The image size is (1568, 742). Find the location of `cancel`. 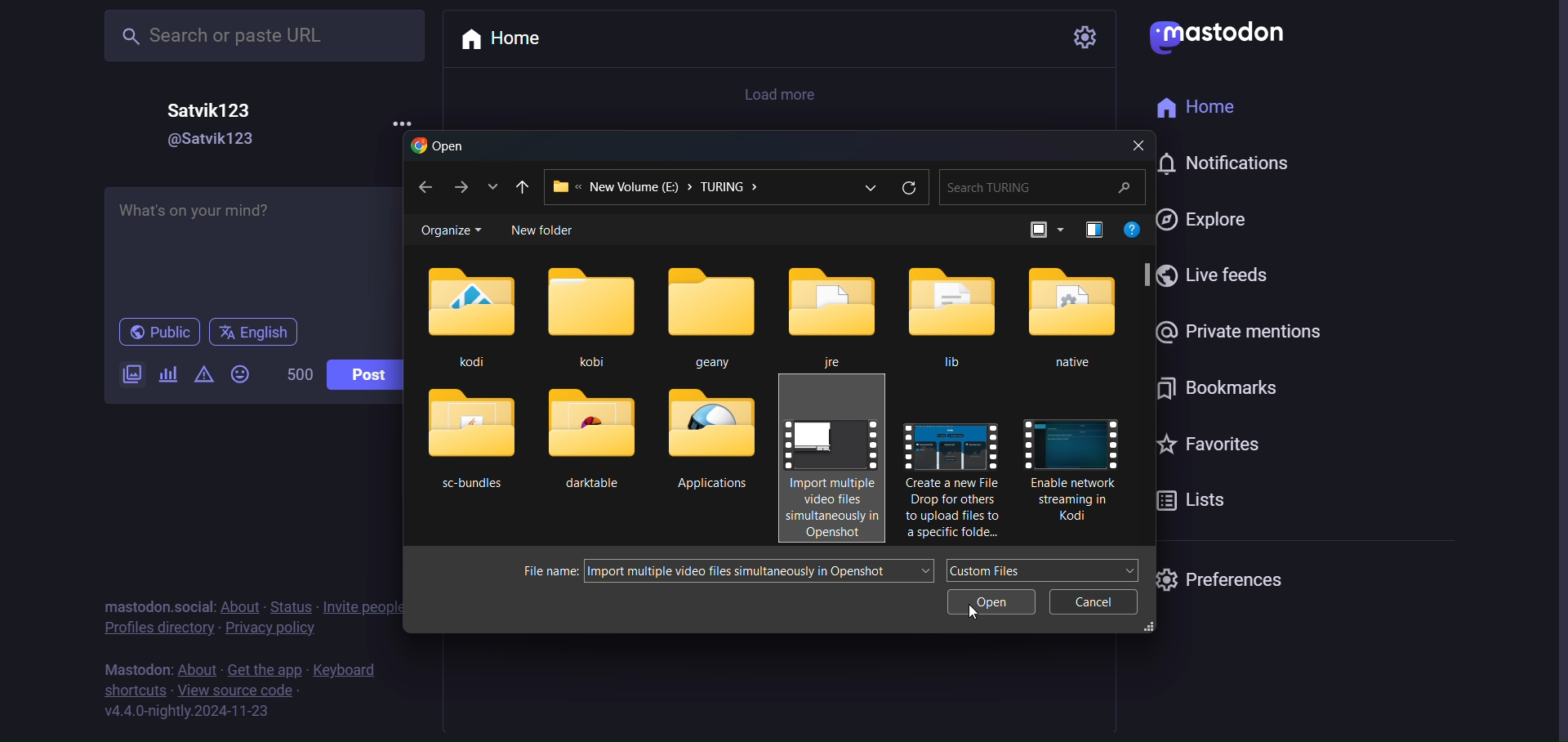

cancel is located at coordinates (1094, 601).